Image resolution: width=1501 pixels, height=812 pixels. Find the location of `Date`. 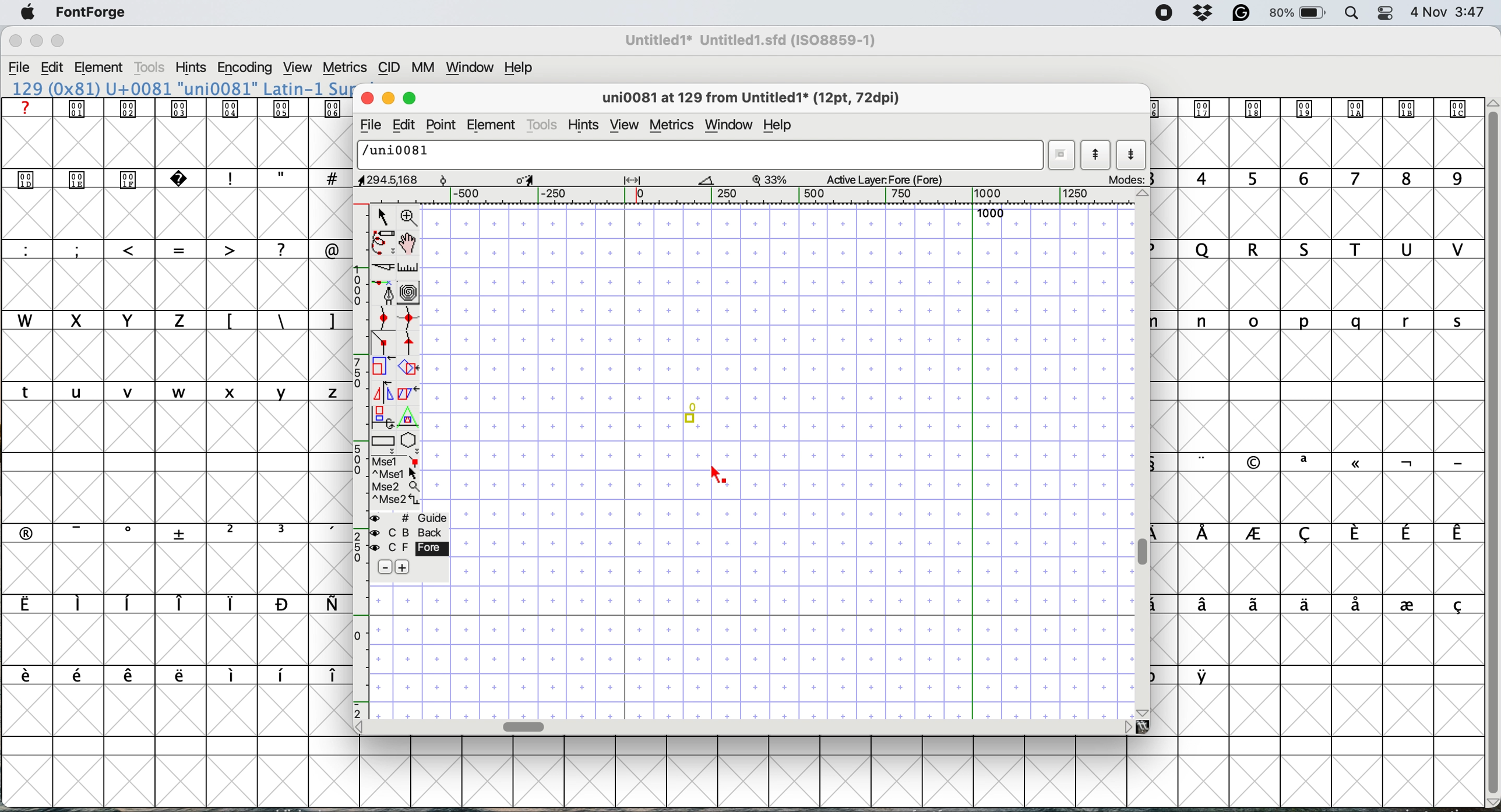

Date is located at coordinates (1428, 12).